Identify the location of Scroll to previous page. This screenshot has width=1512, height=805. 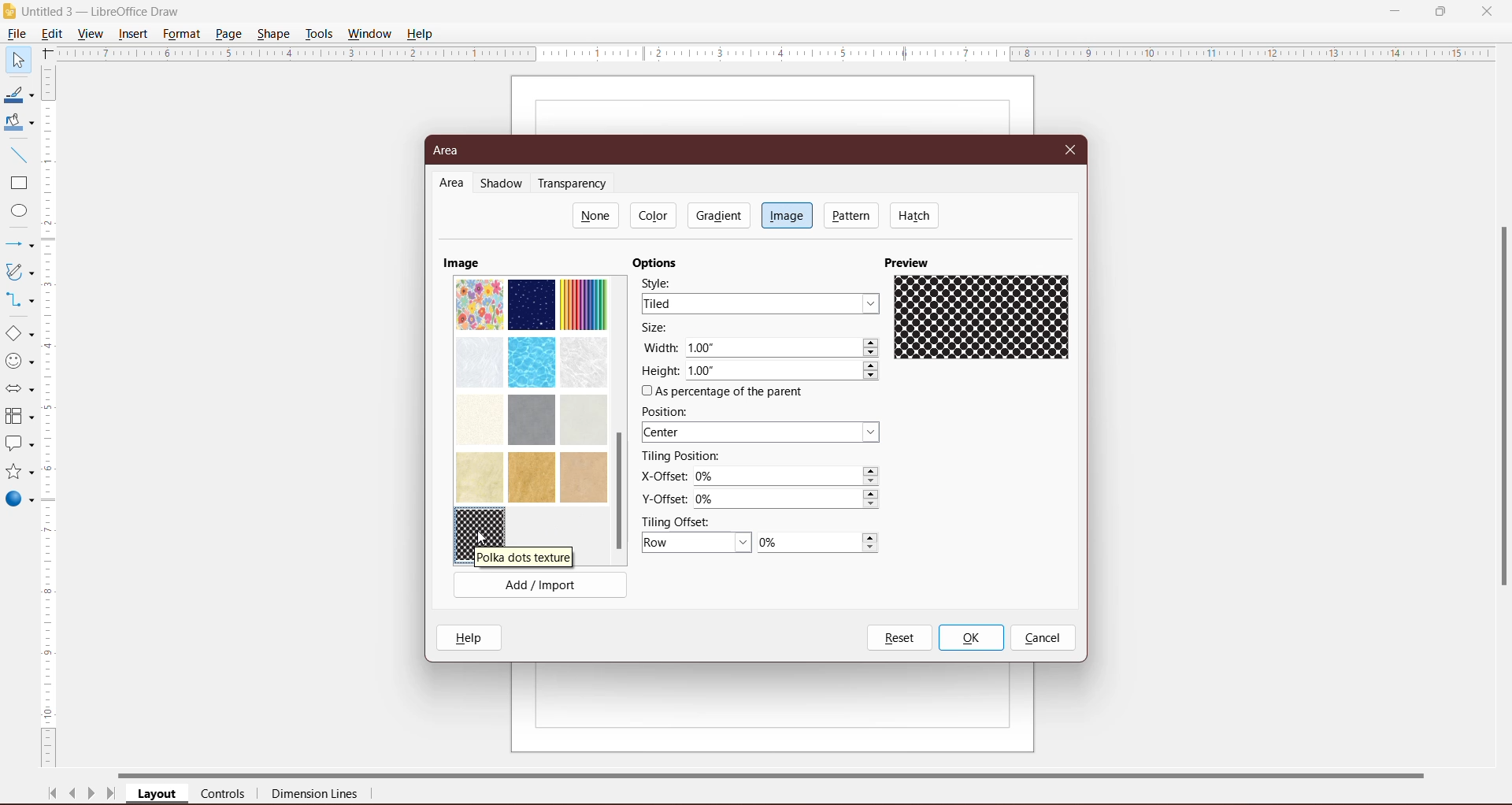
(74, 796).